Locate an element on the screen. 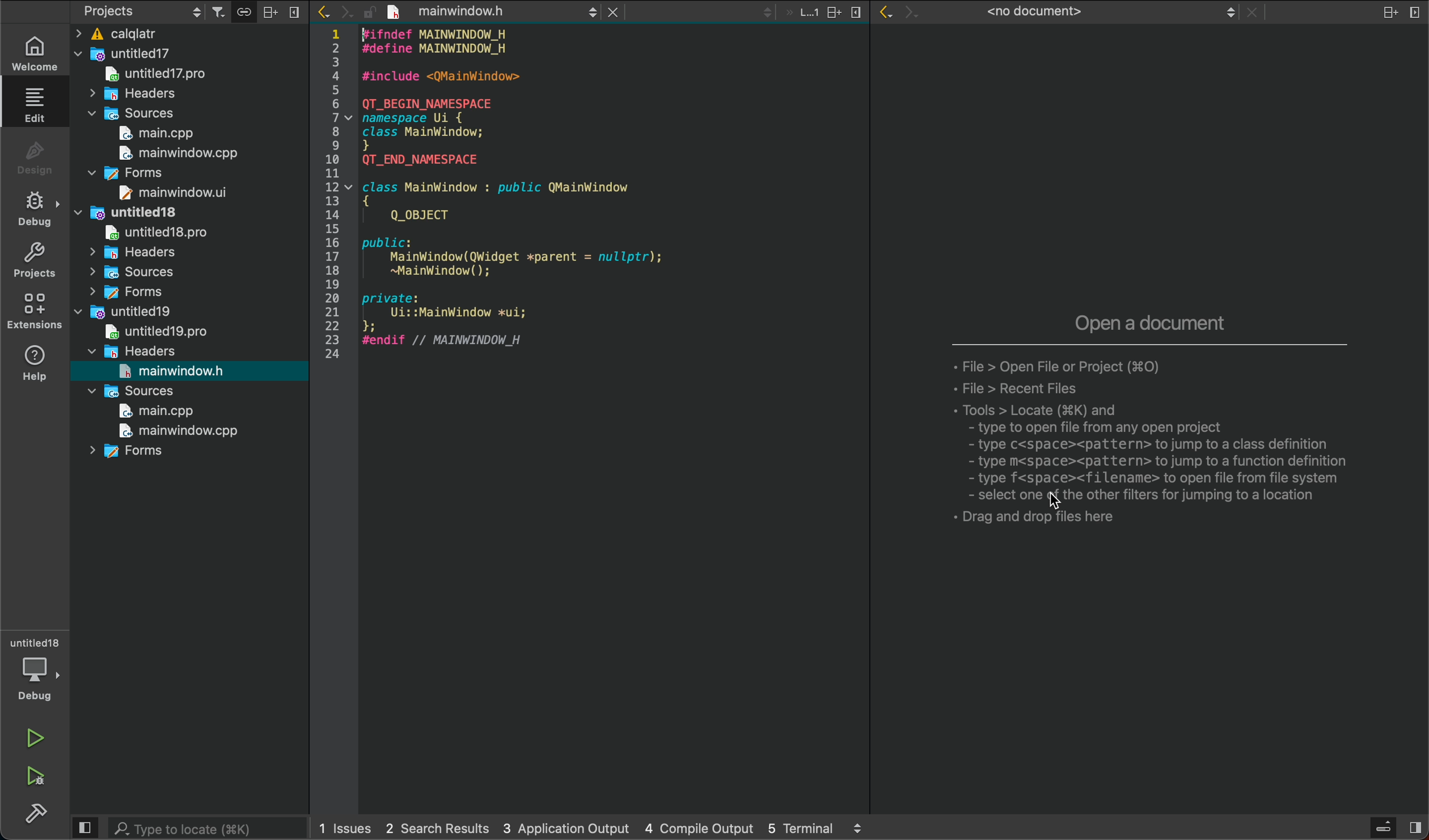 The width and height of the screenshot is (1429, 840). untitled18 is located at coordinates (132, 213).